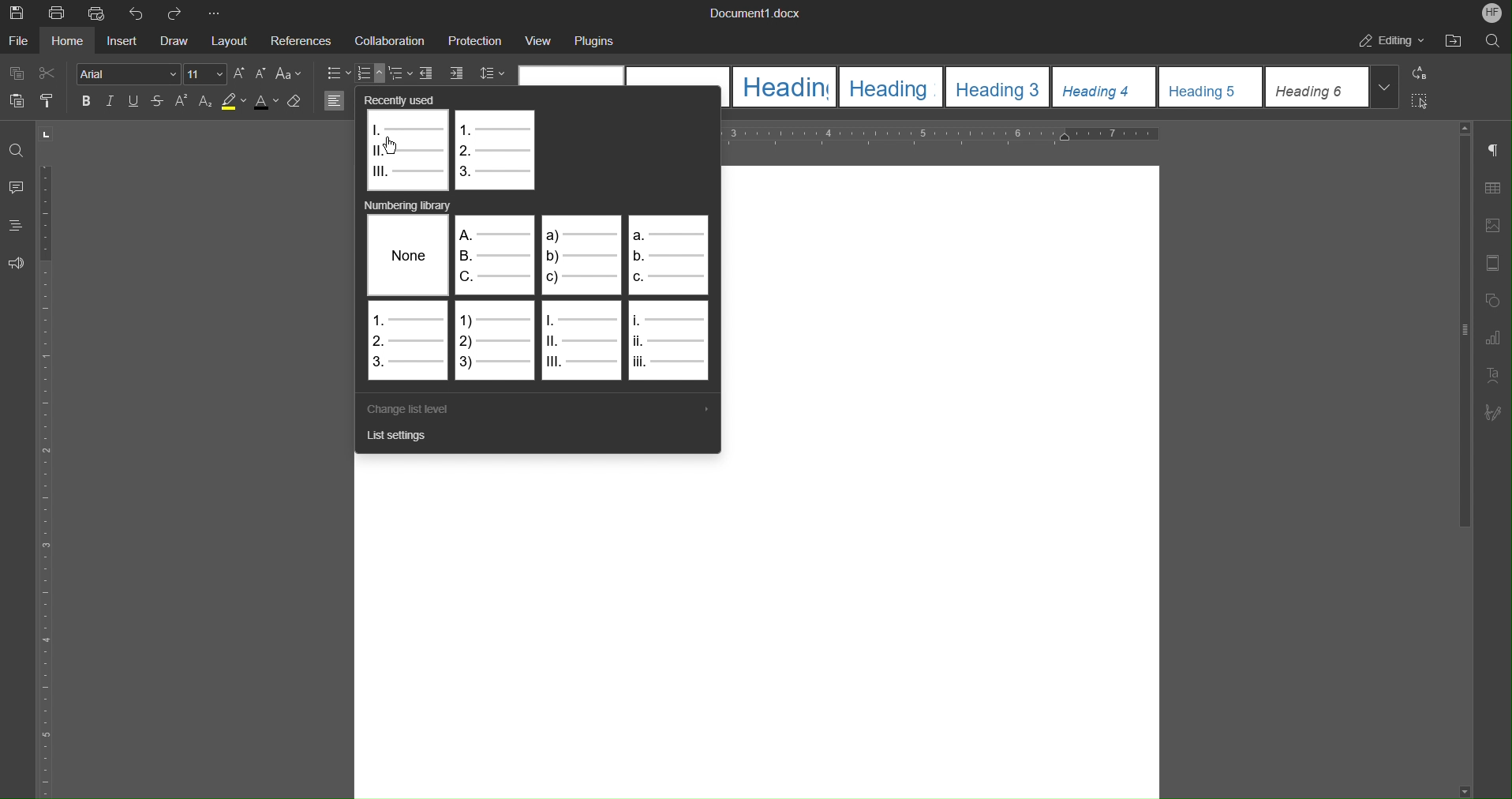 The height and width of the screenshot is (799, 1512). I want to click on Document Title, so click(754, 11).